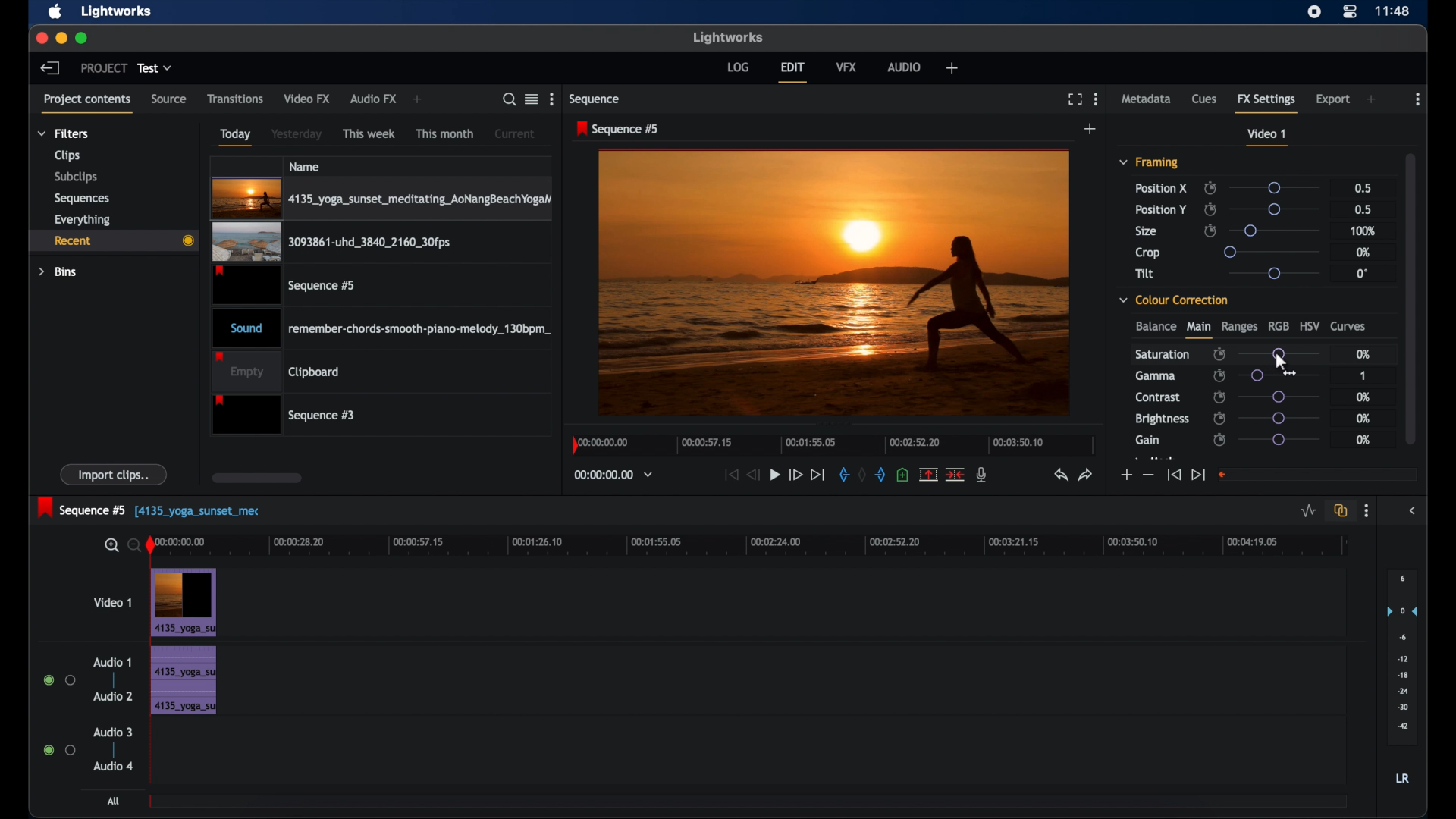 This screenshot has width=1456, height=819. What do you see at coordinates (1273, 251) in the screenshot?
I see `slider` at bounding box center [1273, 251].